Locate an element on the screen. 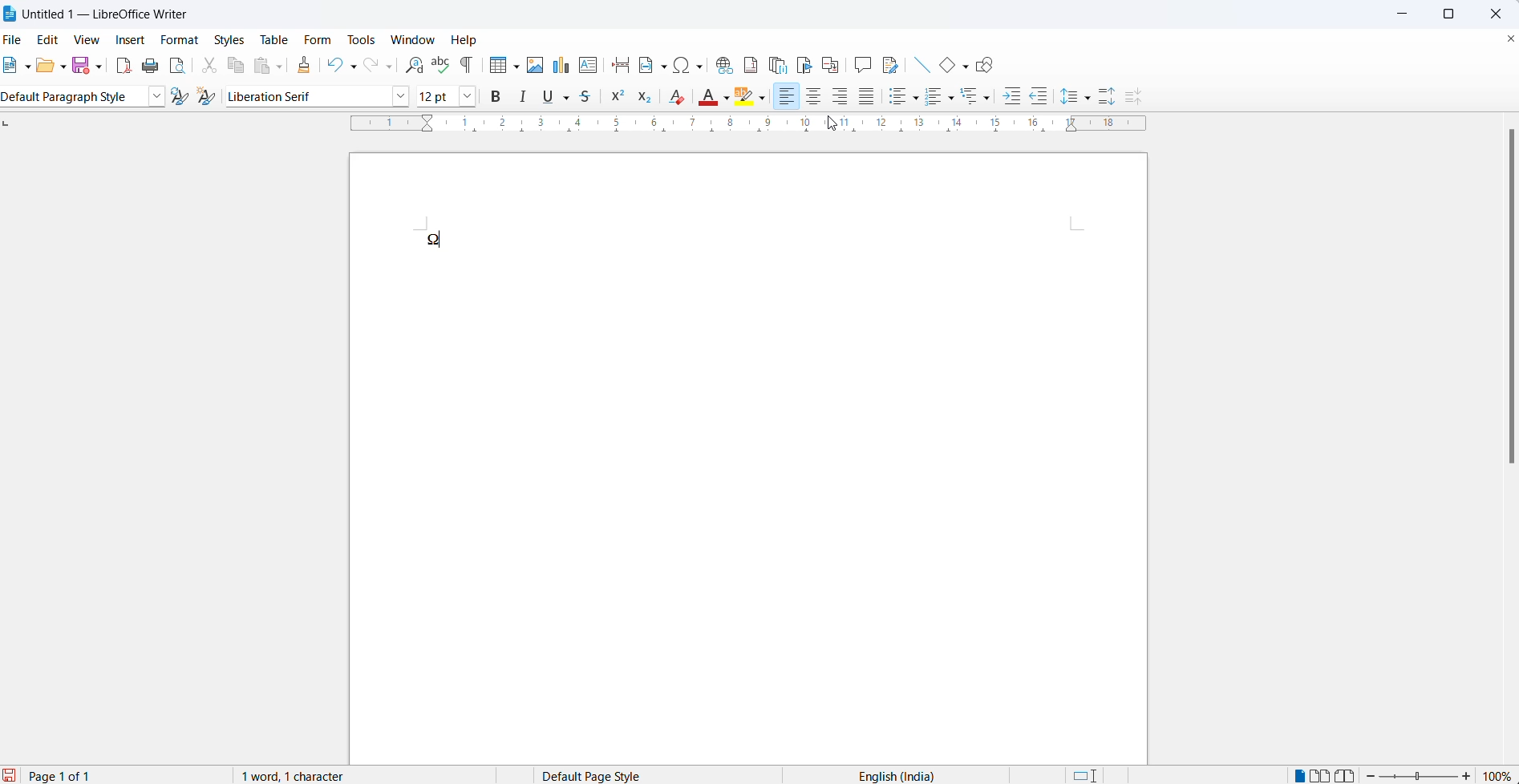 This screenshot has height=784, width=1519. toggle unordered list is located at coordinates (897, 98).